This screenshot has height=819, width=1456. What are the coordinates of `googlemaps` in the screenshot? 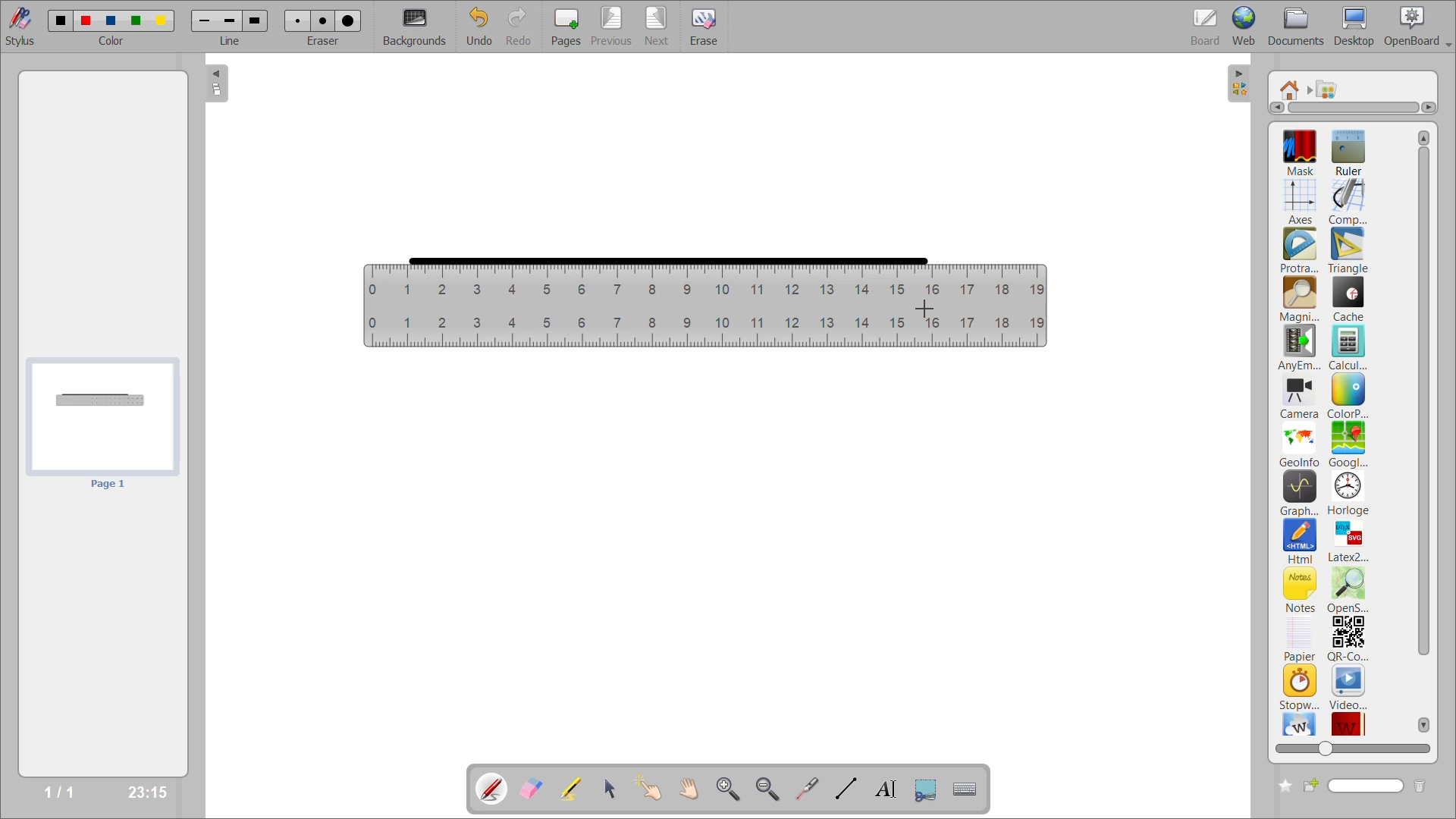 It's located at (1347, 444).